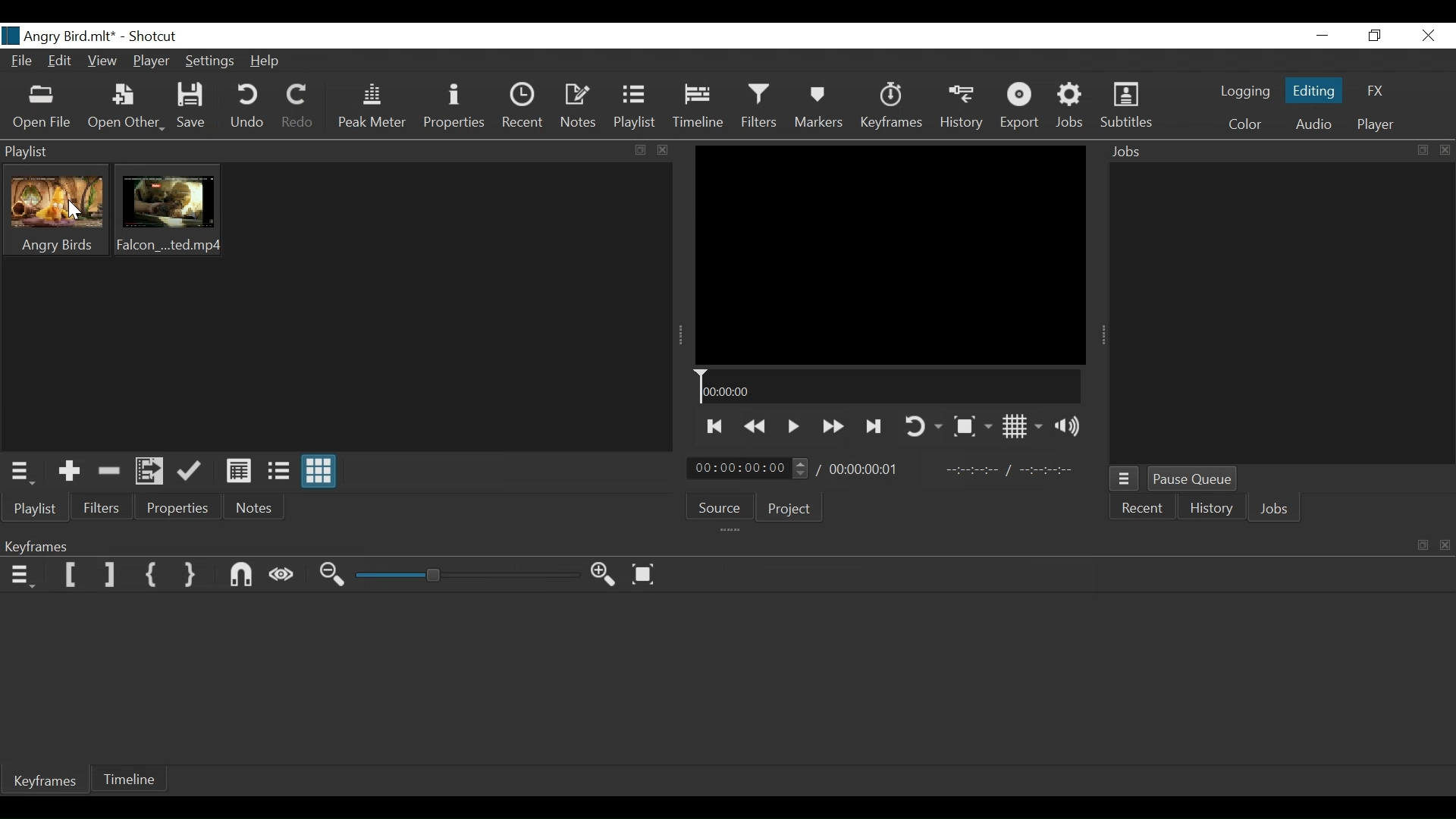 Image resolution: width=1456 pixels, height=819 pixels. What do you see at coordinates (99, 507) in the screenshot?
I see `Filters` at bounding box center [99, 507].